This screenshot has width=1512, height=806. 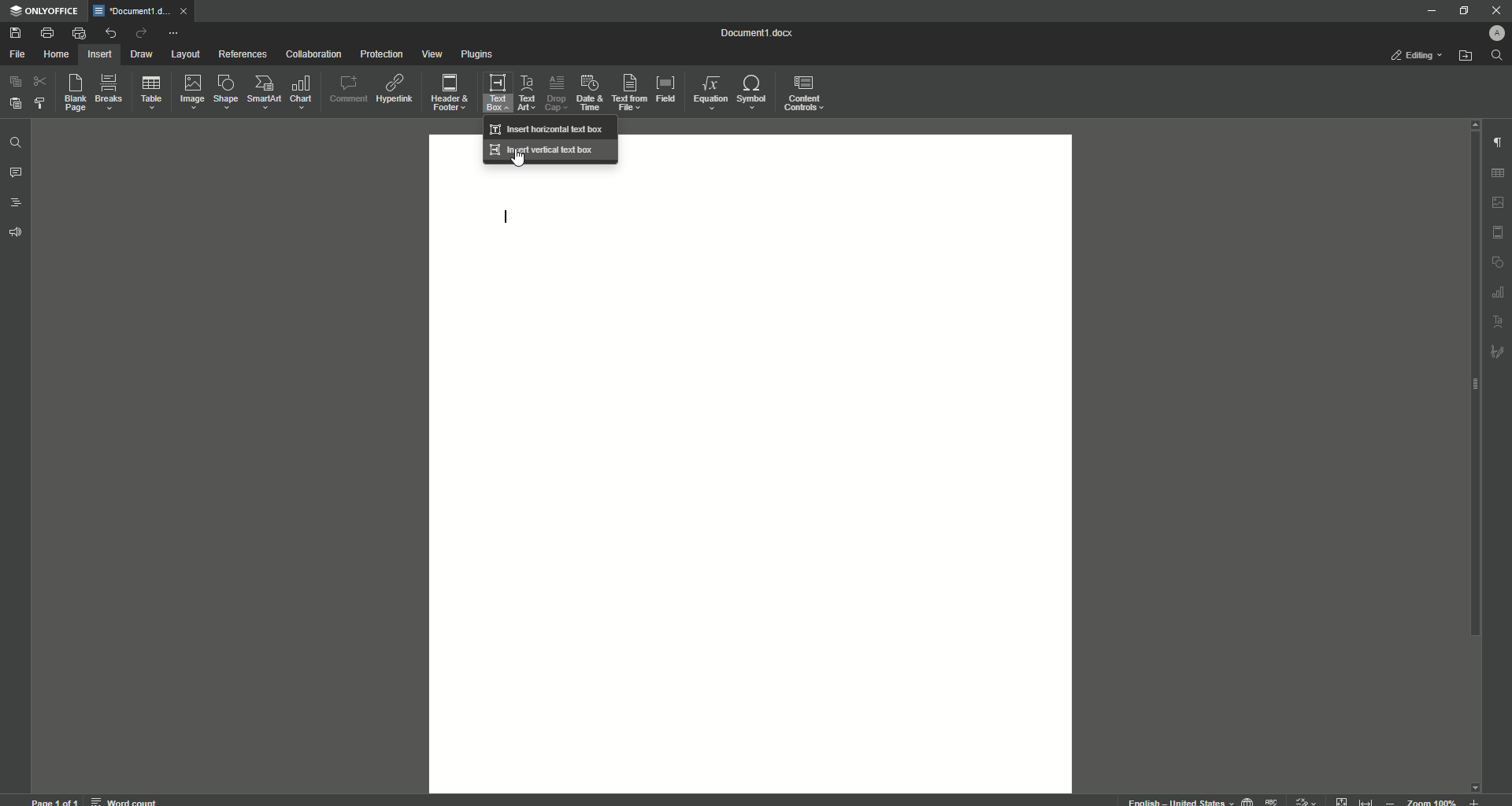 What do you see at coordinates (1306, 800) in the screenshot?
I see `track changes` at bounding box center [1306, 800].